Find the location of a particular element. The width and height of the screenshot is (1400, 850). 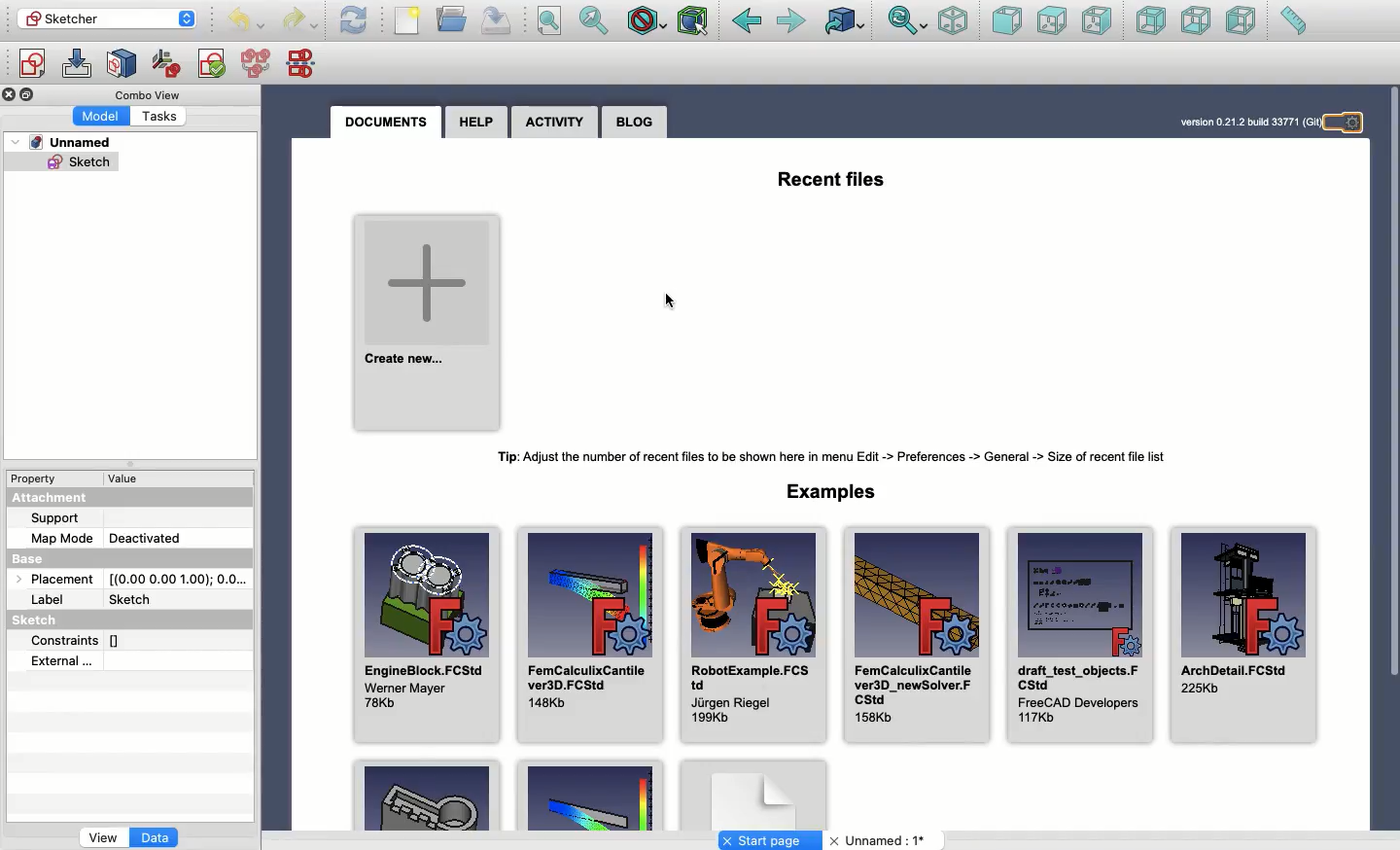

Placement [(0.00 0.00 1.00); 0.0... is located at coordinates (136, 582).